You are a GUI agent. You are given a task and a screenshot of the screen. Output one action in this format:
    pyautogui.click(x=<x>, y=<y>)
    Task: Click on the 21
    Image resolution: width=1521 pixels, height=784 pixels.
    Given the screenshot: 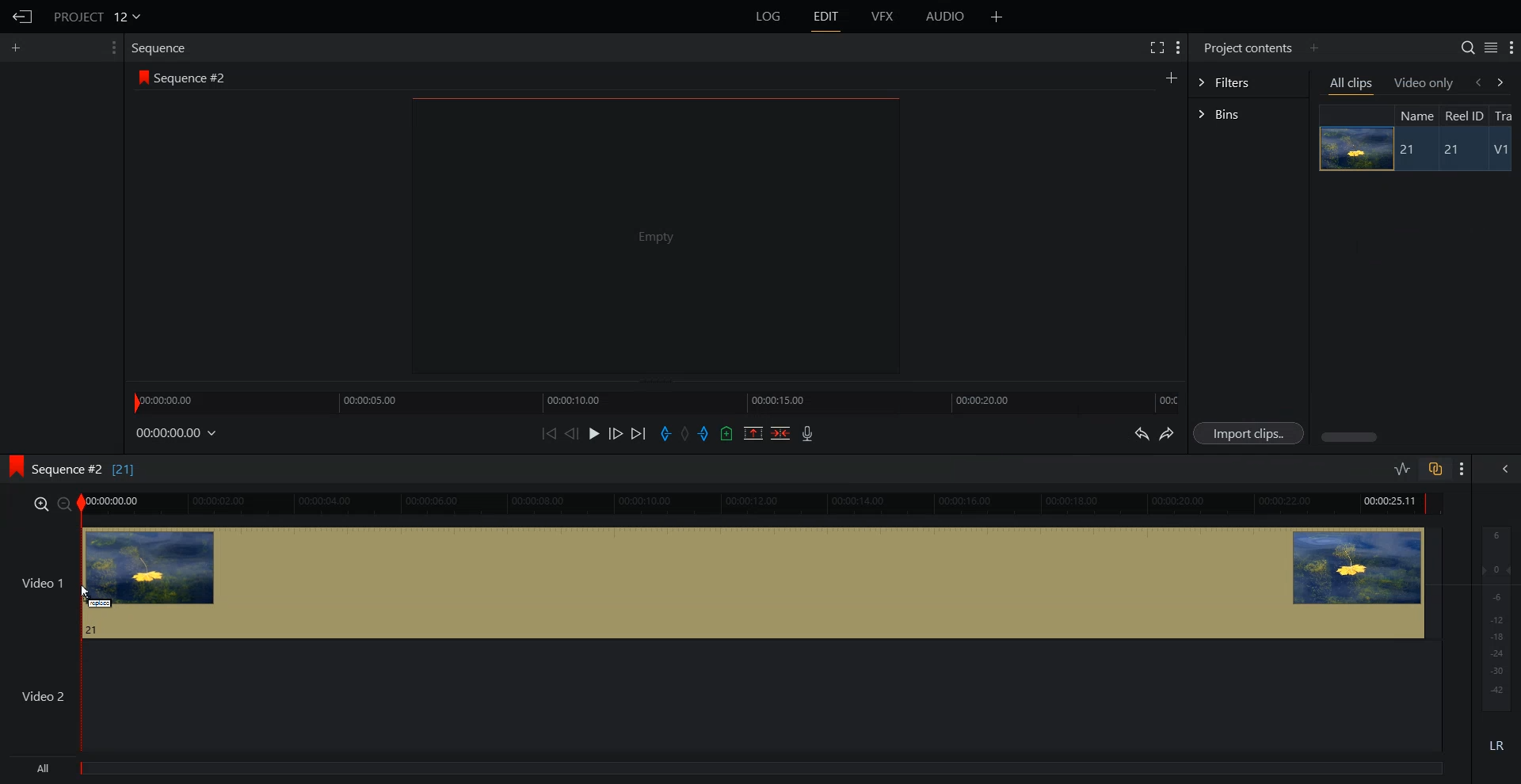 What is the action you would take?
    pyautogui.click(x=1448, y=150)
    